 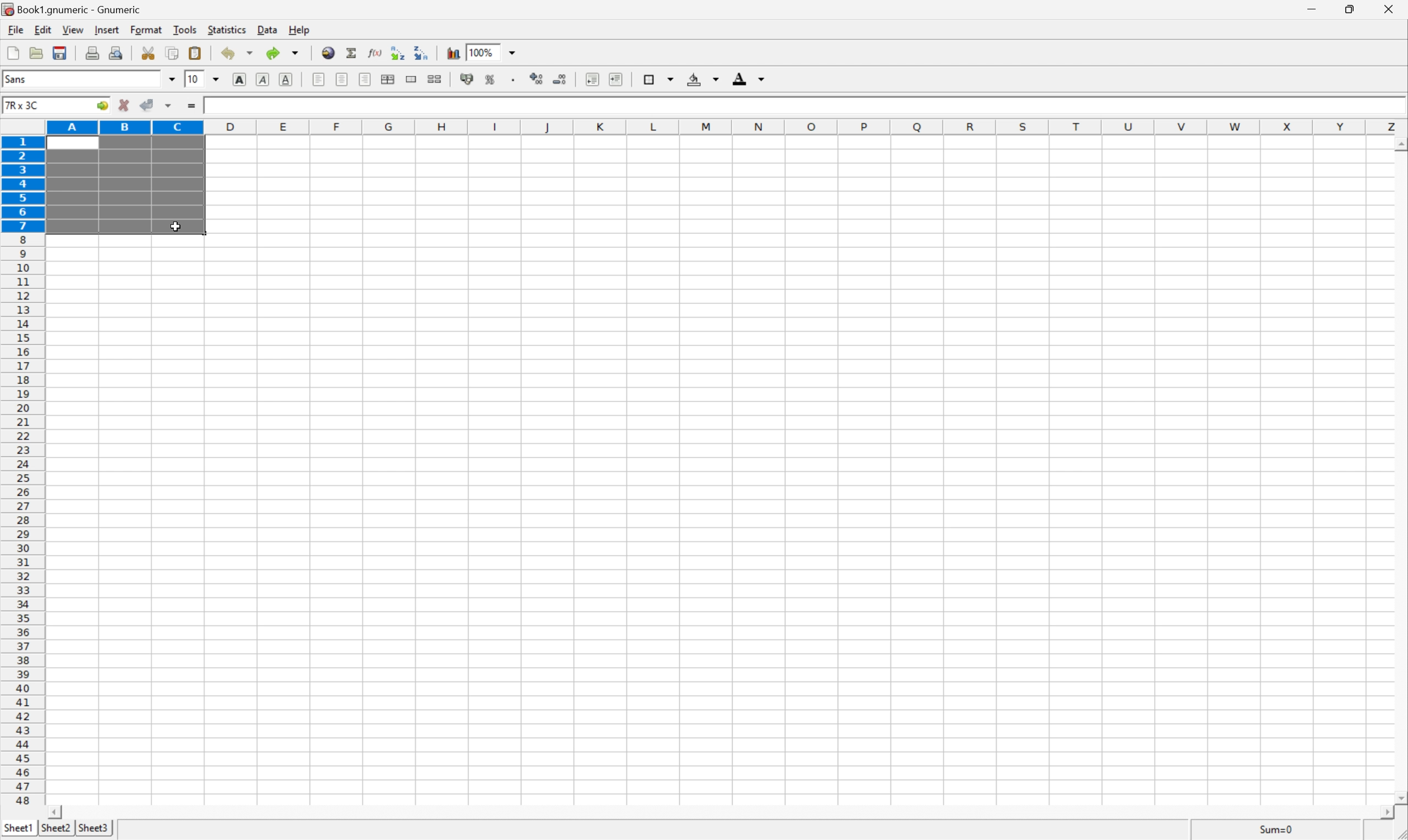 I want to click on redo, so click(x=284, y=53).